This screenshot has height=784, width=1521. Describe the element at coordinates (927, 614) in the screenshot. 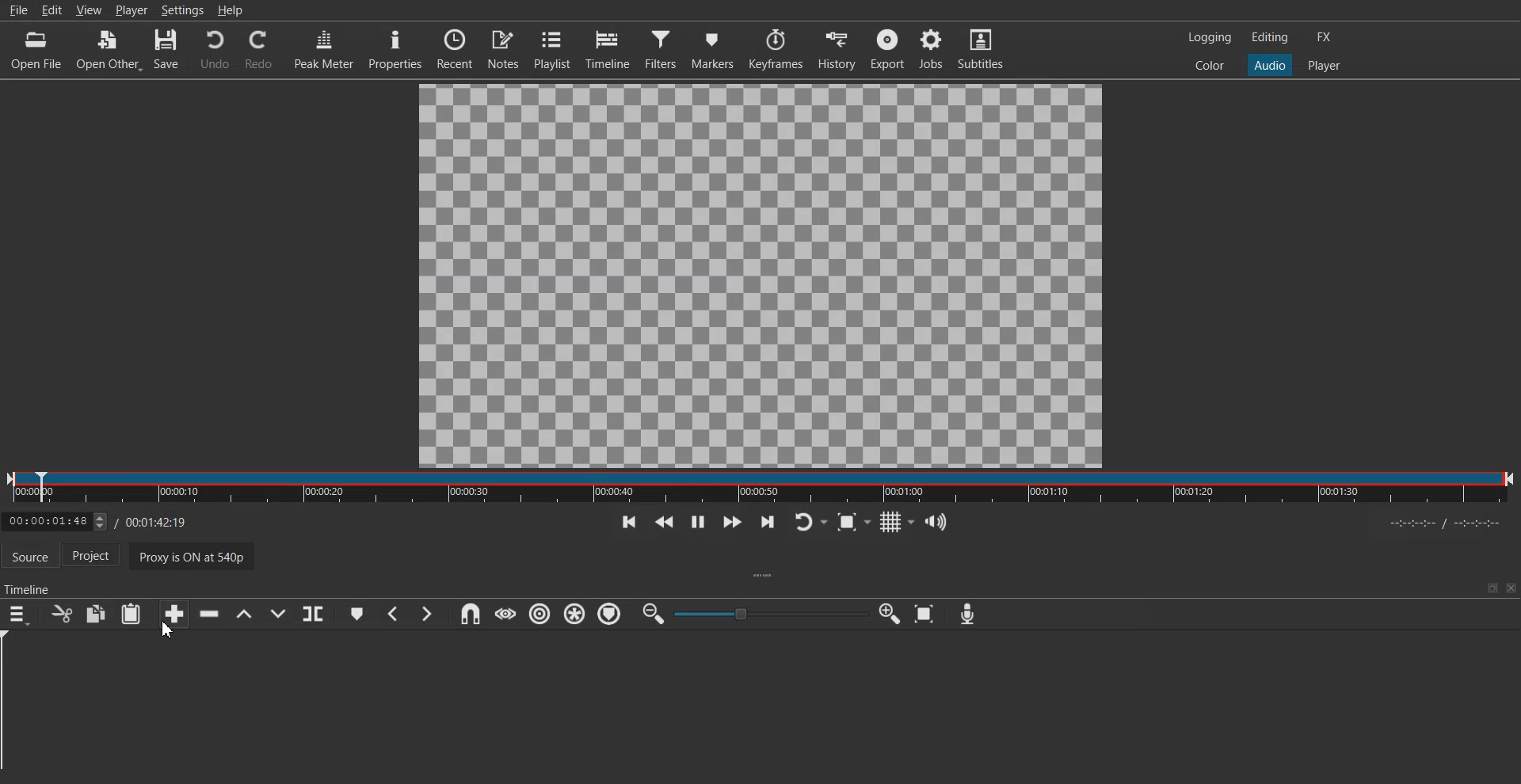

I see `Zoom timeline to fit` at that location.